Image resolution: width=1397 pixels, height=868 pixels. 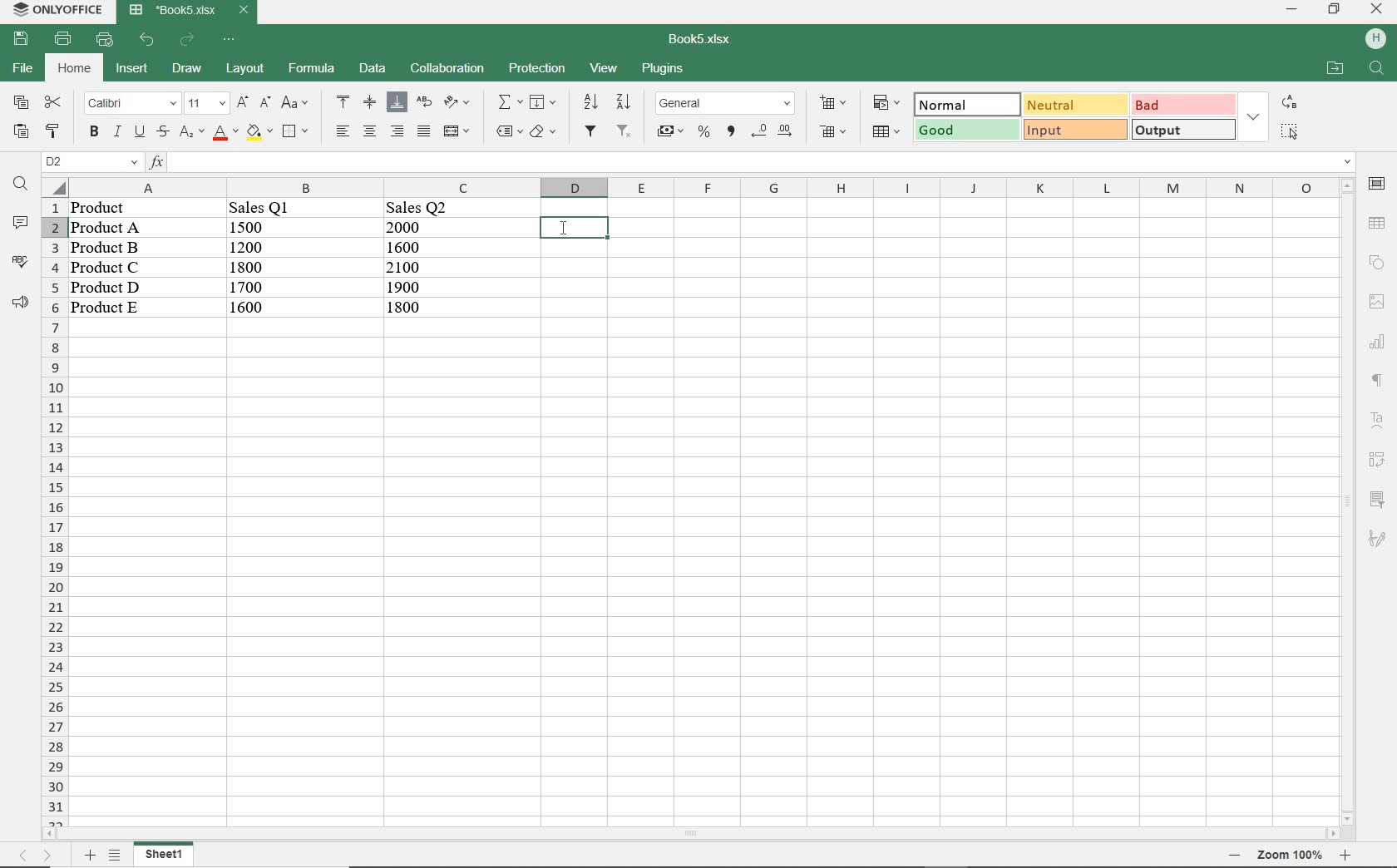 What do you see at coordinates (1377, 40) in the screenshot?
I see `hp` at bounding box center [1377, 40].